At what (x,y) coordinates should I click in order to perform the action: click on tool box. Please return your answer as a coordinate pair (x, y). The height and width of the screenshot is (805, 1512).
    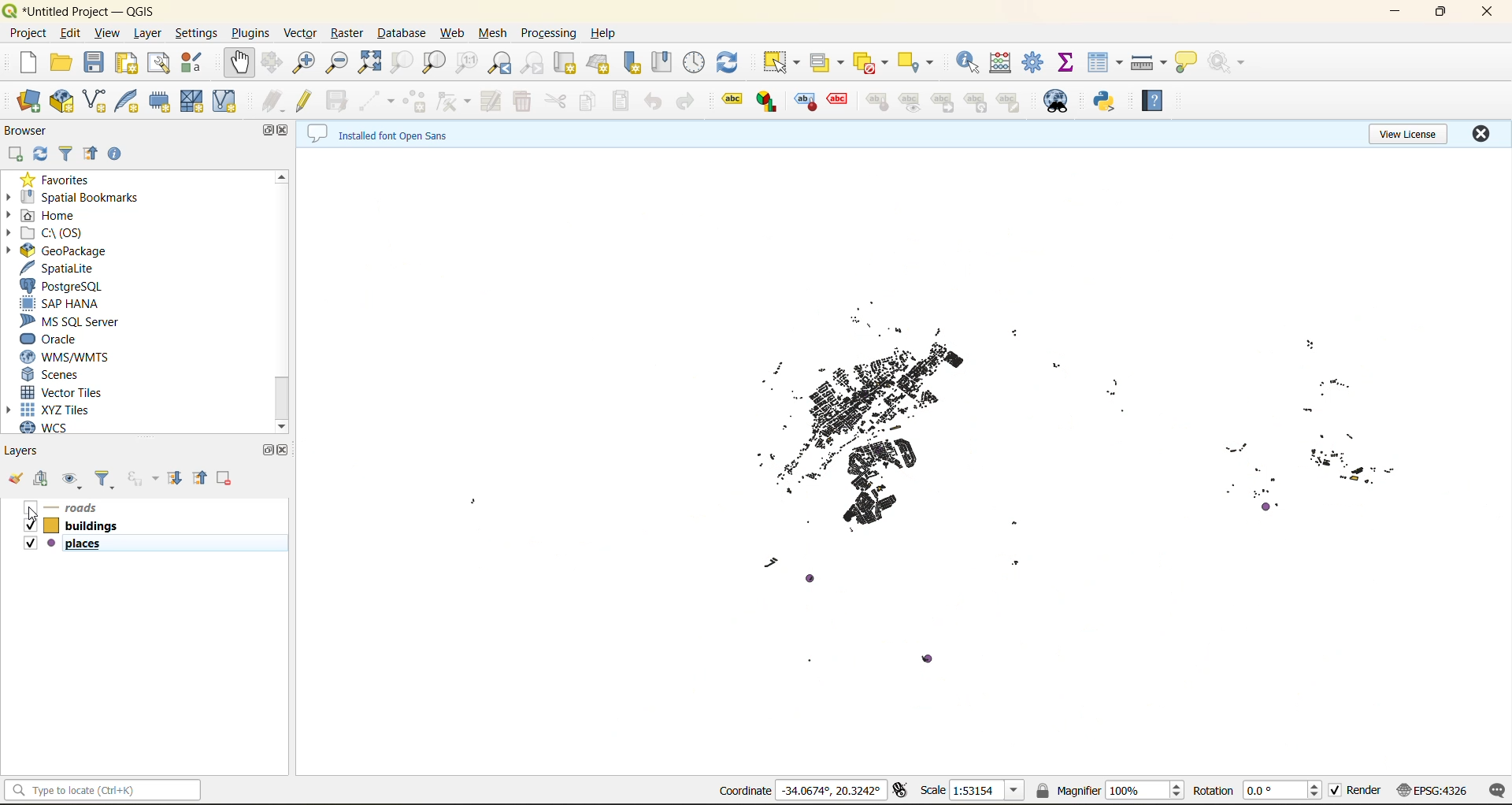
    Looking at the image, I should click on (1031, 60).